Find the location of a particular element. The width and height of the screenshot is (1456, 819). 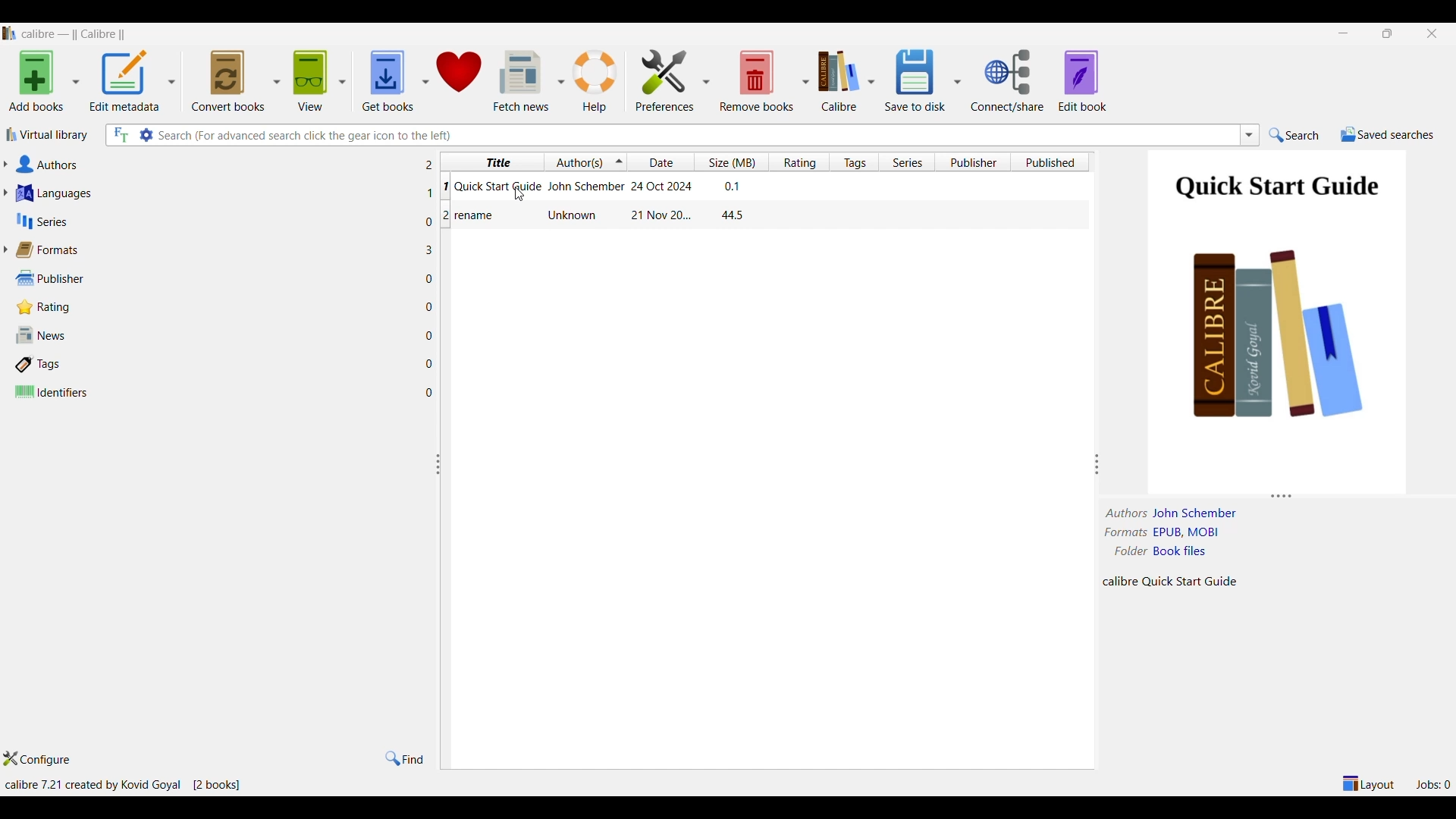

Software name is located at coordinates (78, 34).